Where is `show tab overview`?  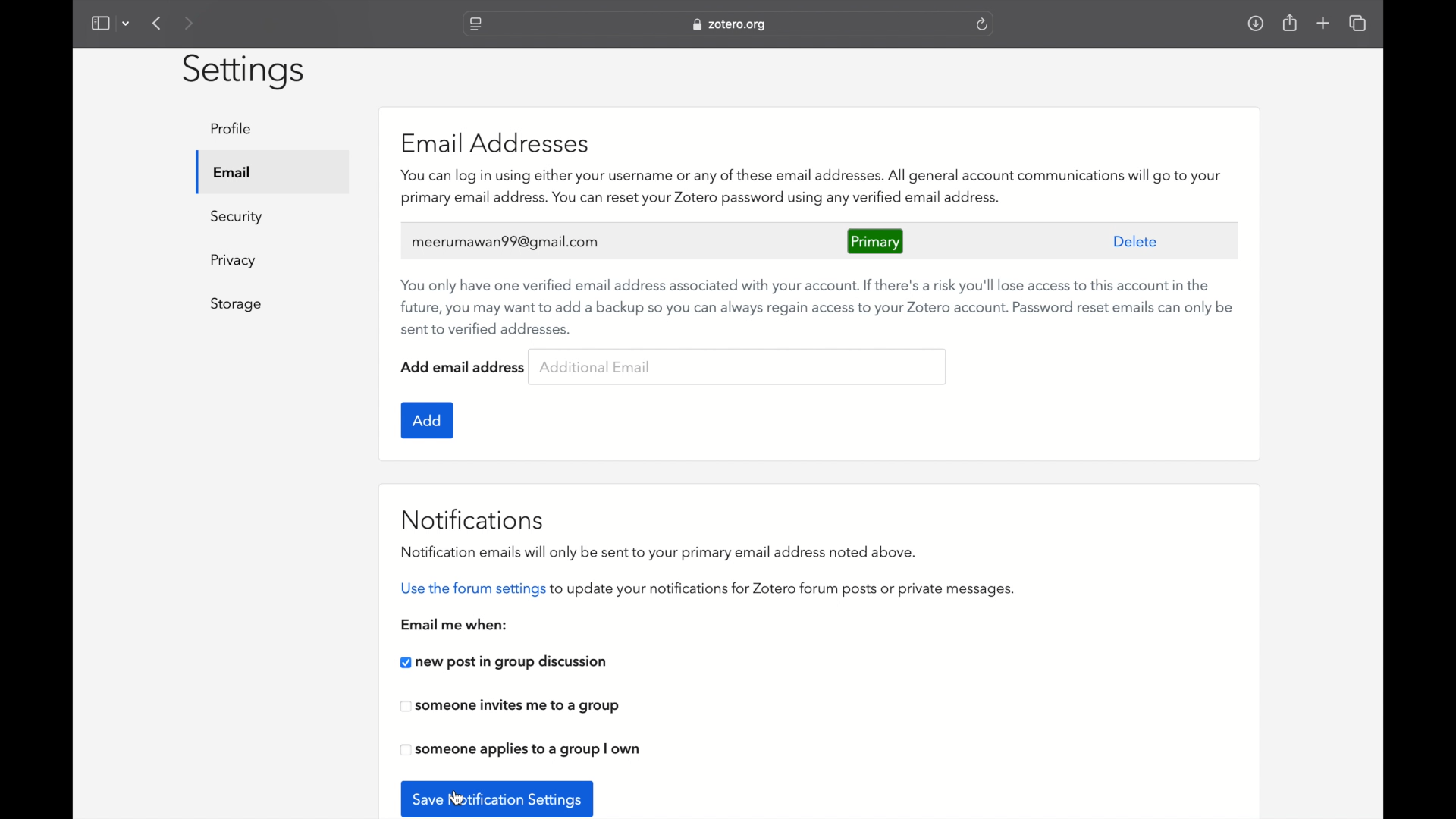
show tab overview is located at coordinates (1359, 23).